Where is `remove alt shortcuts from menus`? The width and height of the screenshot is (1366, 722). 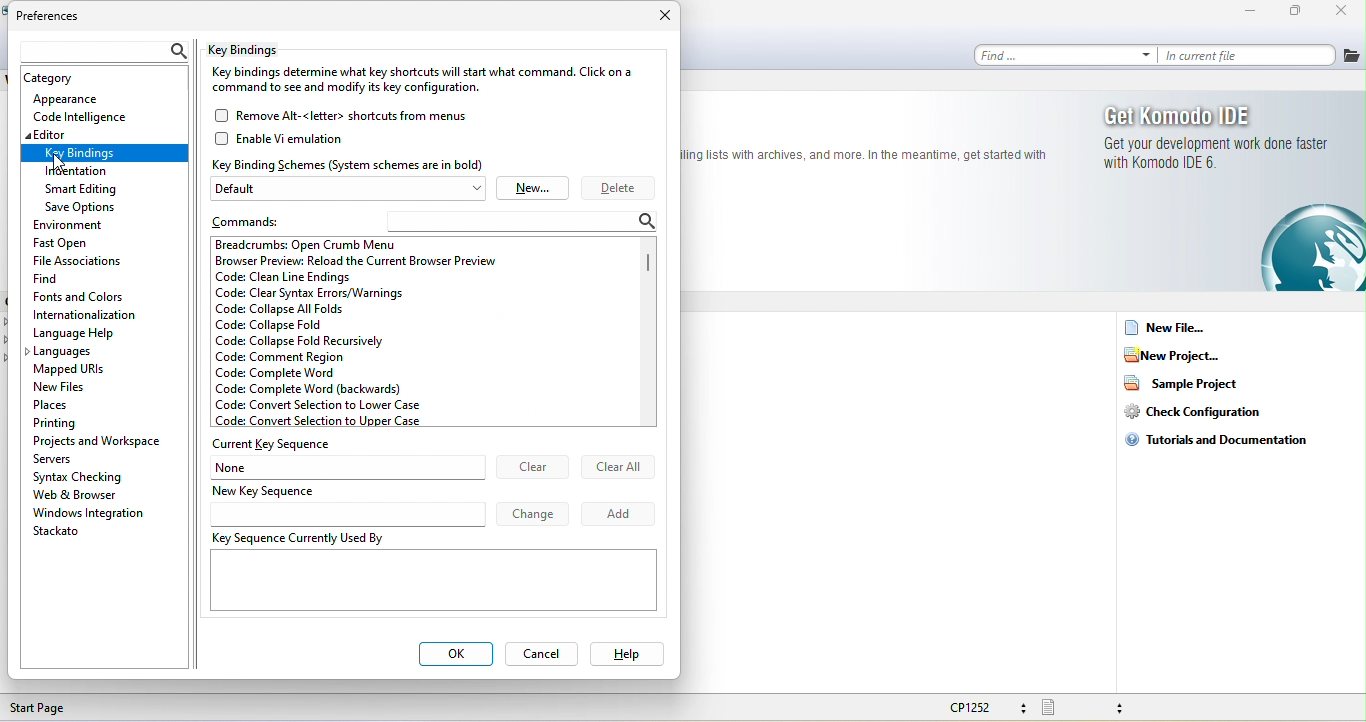
remove alt shortcuts from menus is located at coordinates (354, 115).